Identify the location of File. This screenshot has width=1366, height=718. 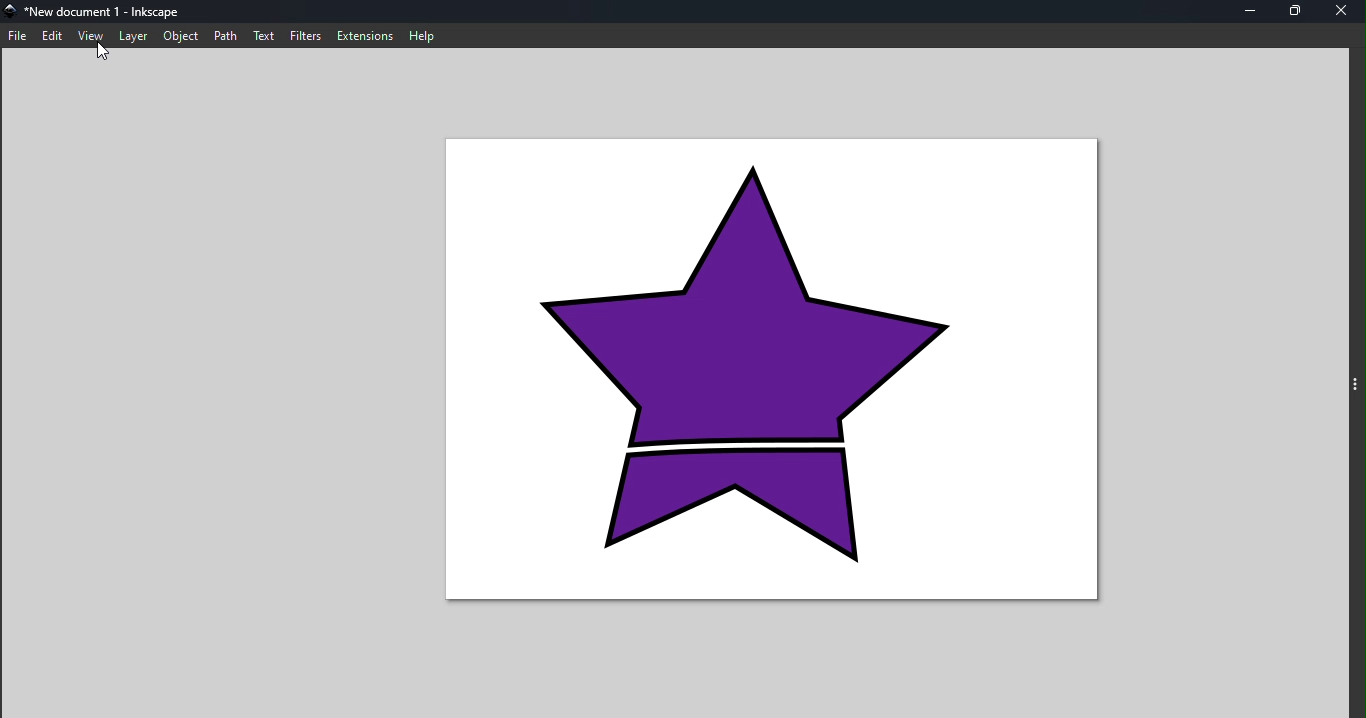
(18, 36).